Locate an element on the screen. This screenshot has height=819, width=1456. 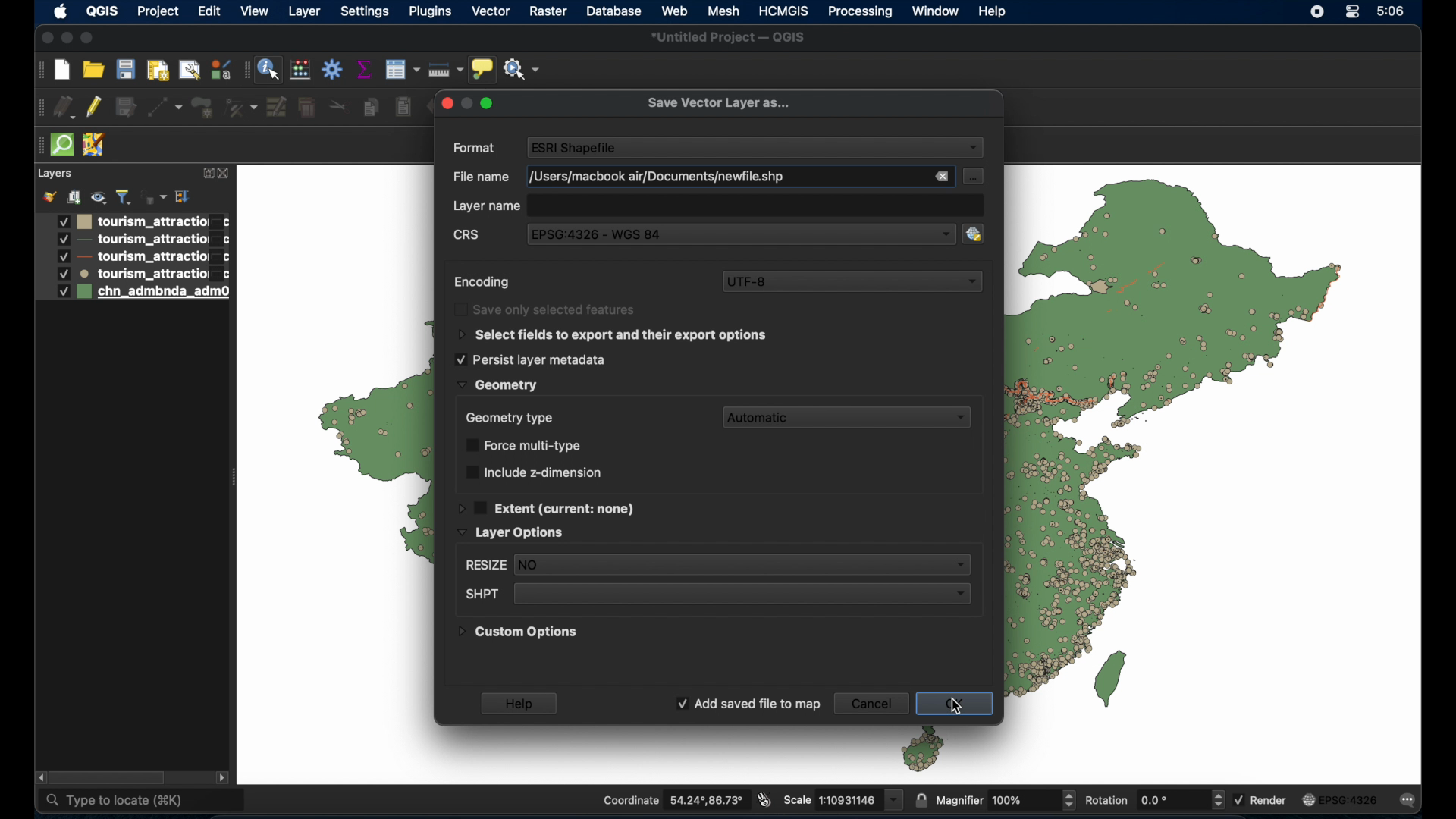
add polygon feature is located at coordinates (205, 108).